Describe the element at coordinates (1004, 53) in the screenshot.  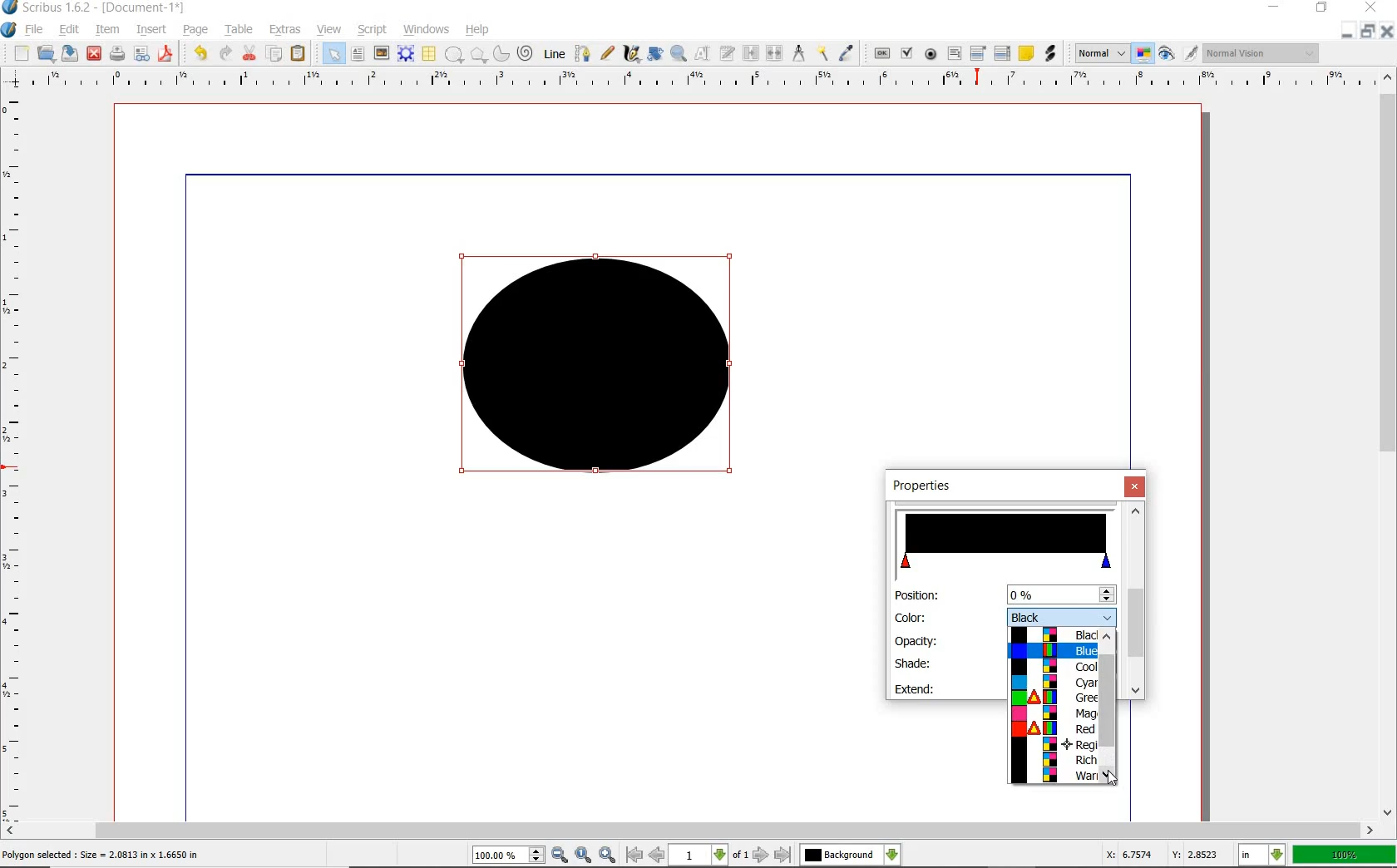
I see `PDF LIST BOX` at that location.